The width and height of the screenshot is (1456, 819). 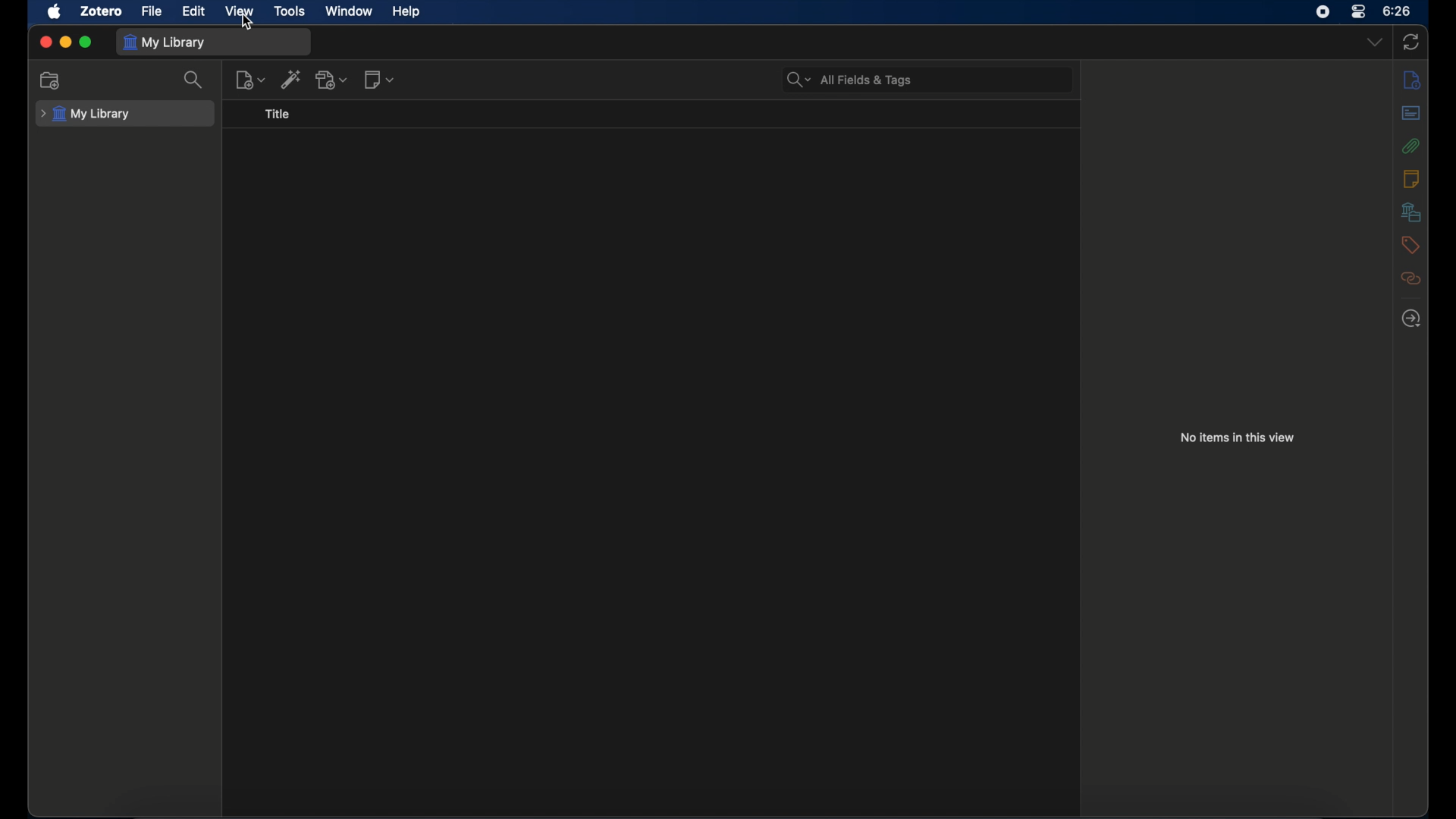 I want to click on file, so click(x=151, y=11).